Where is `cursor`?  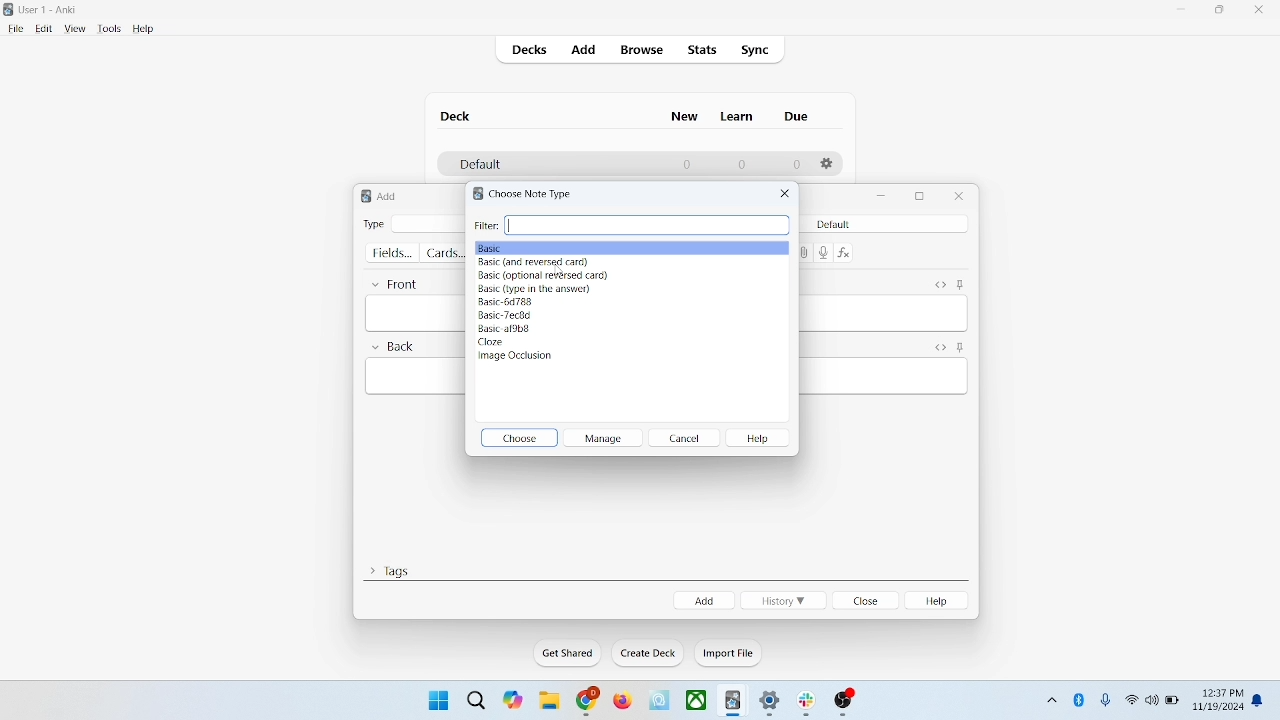 cursor is located at coordinates (560, 271).